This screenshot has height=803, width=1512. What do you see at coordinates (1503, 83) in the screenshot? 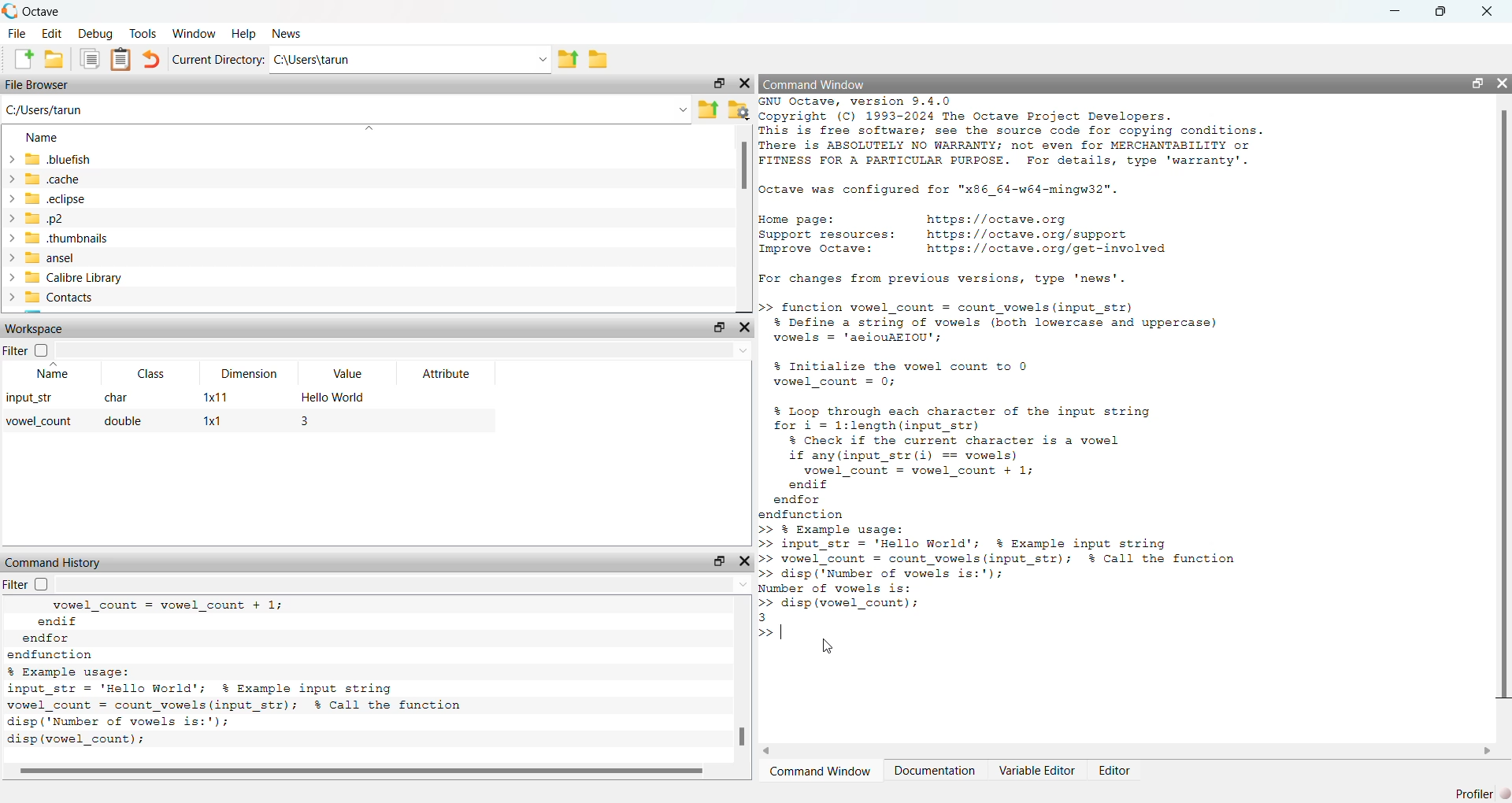
I see `close` at bounding box center [1503, 83].